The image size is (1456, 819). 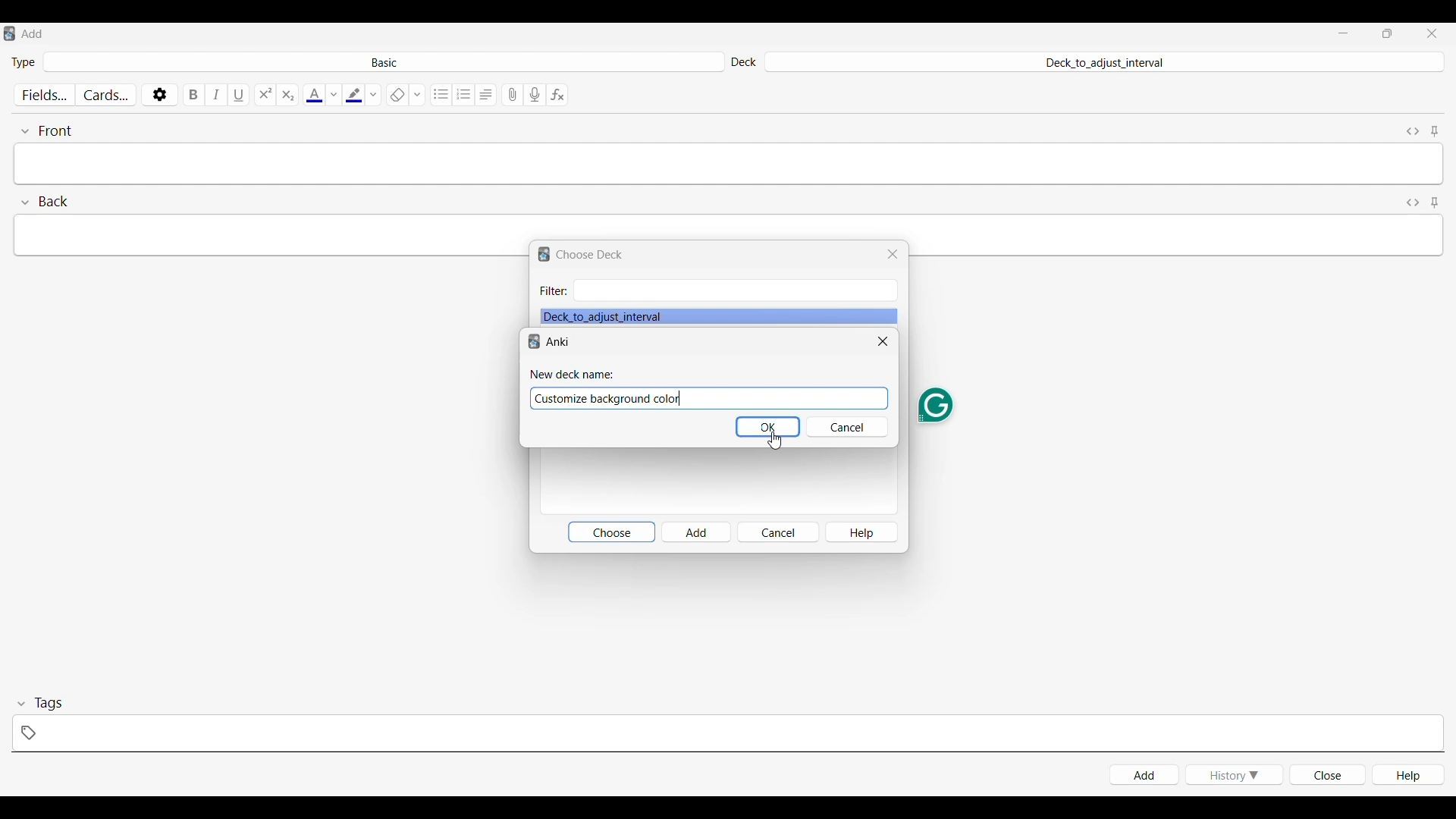 I want to click on Collapse tags, so click(x=40, y=704).